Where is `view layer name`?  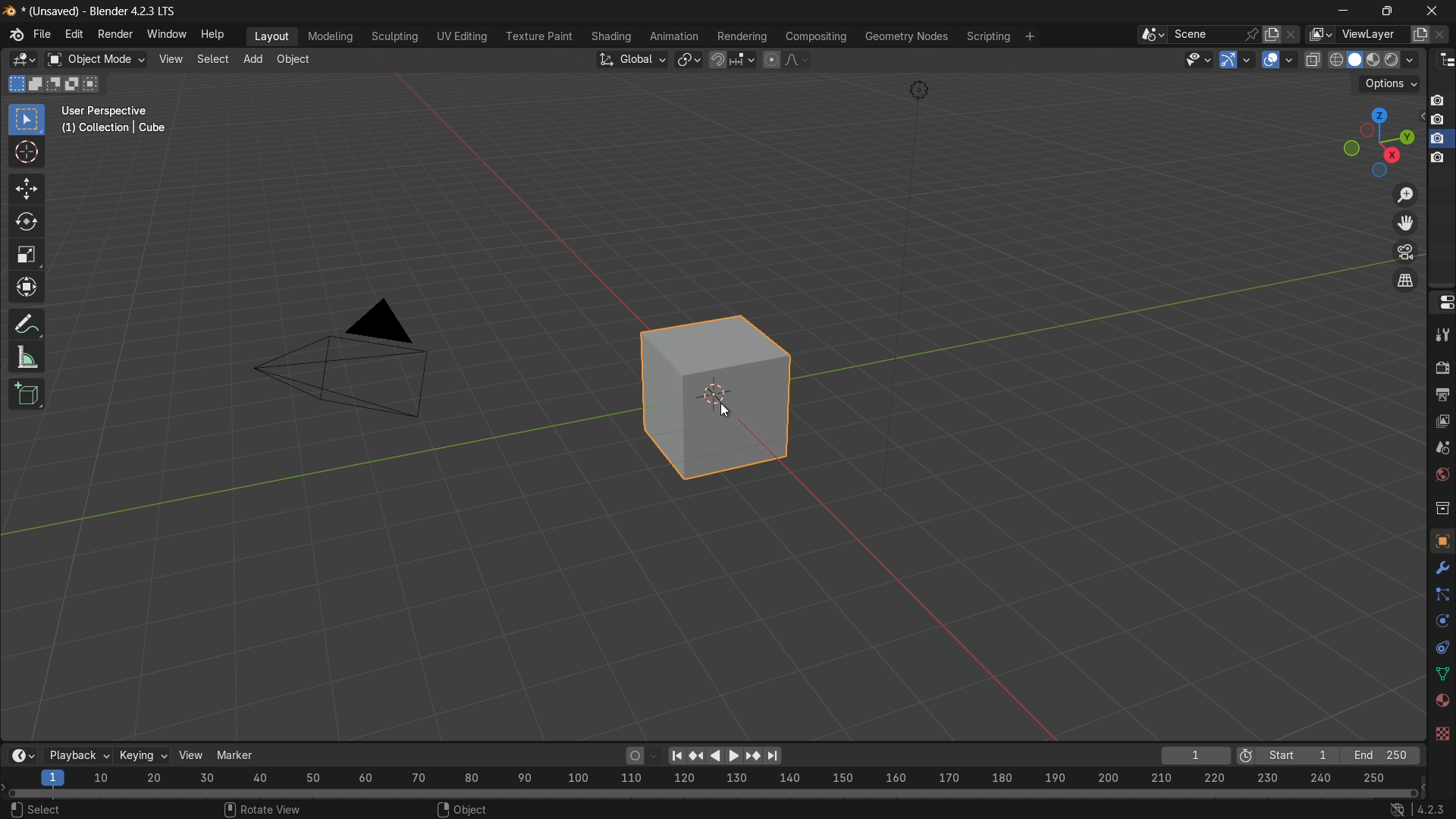
view layer name is located at coordinates (1374, 34).